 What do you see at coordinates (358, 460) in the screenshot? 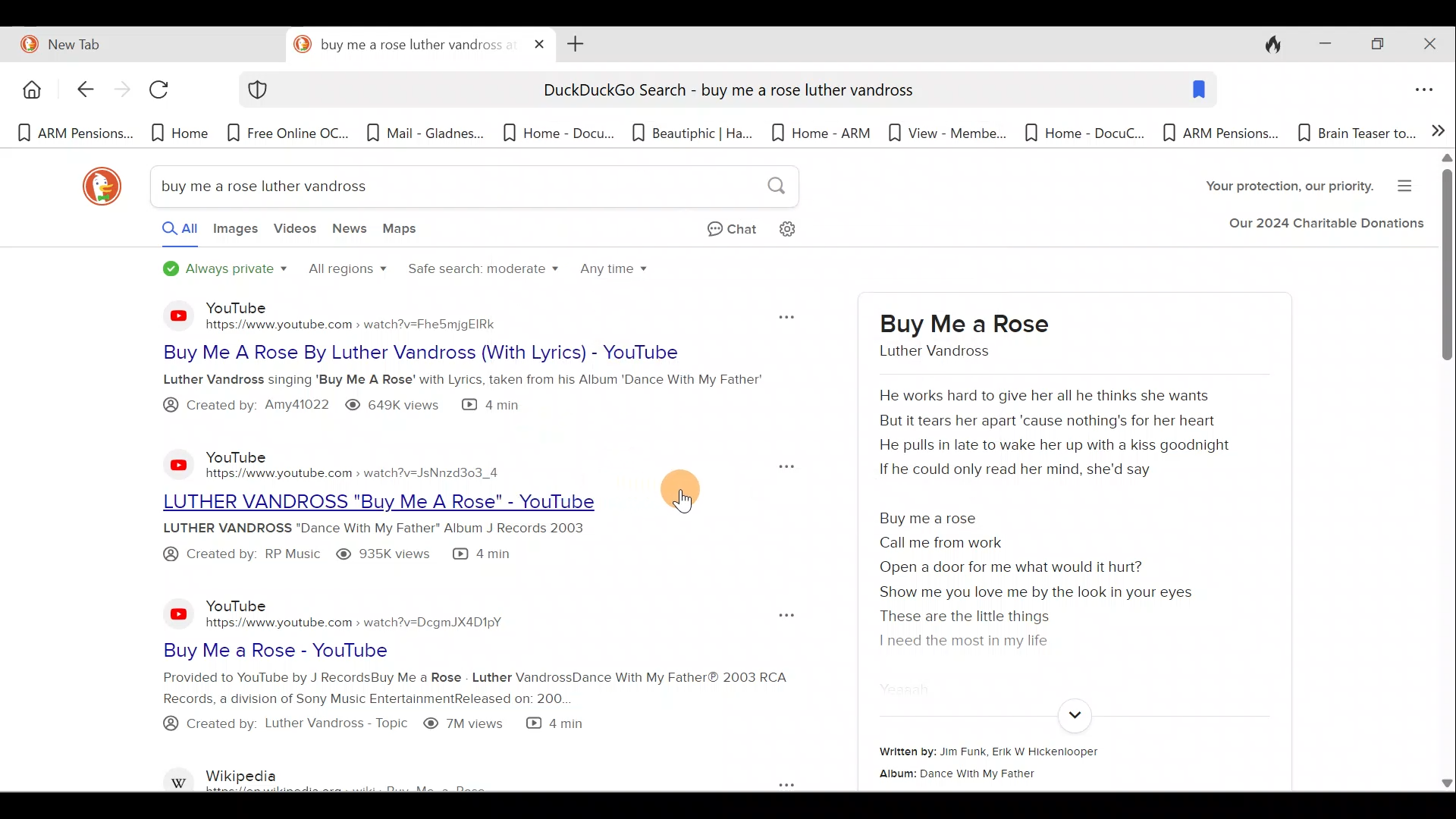
I see `YouTube - https://www.youtube.com » watch?v=JsNnzd303_4` at bounding box center [358, 460].